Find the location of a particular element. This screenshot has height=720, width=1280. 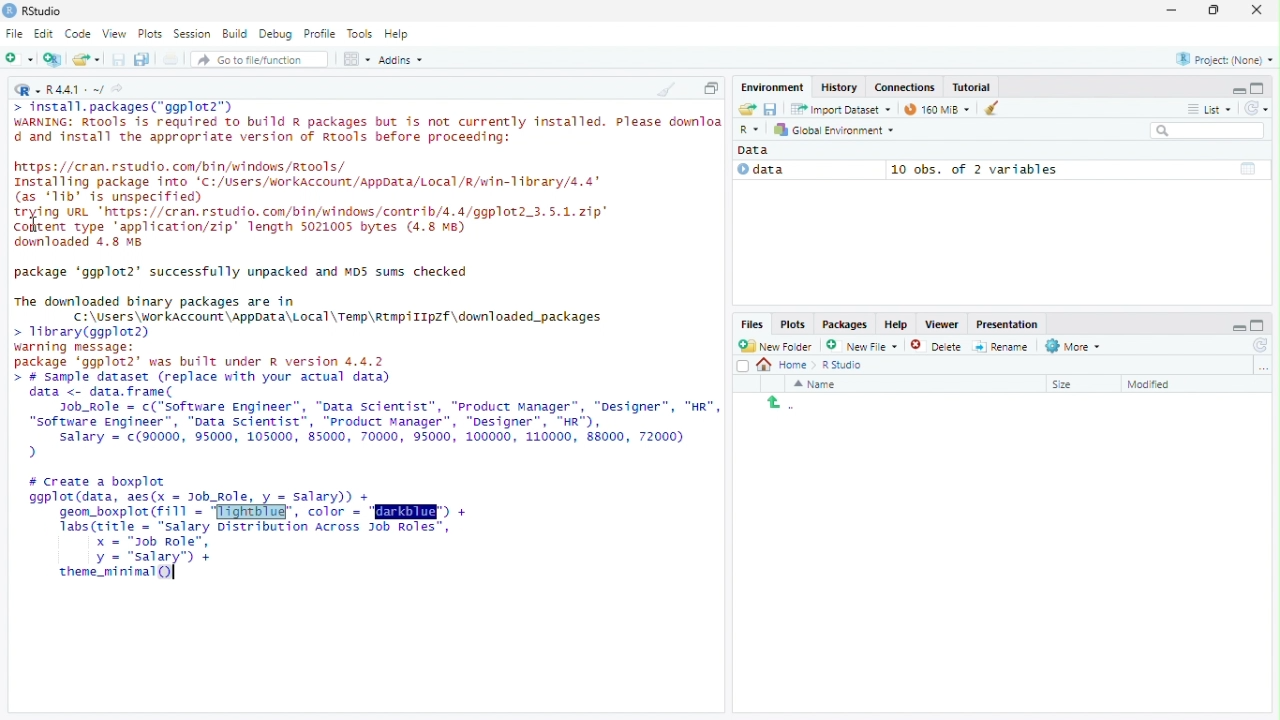

Help is located at coordinates (400, 35).